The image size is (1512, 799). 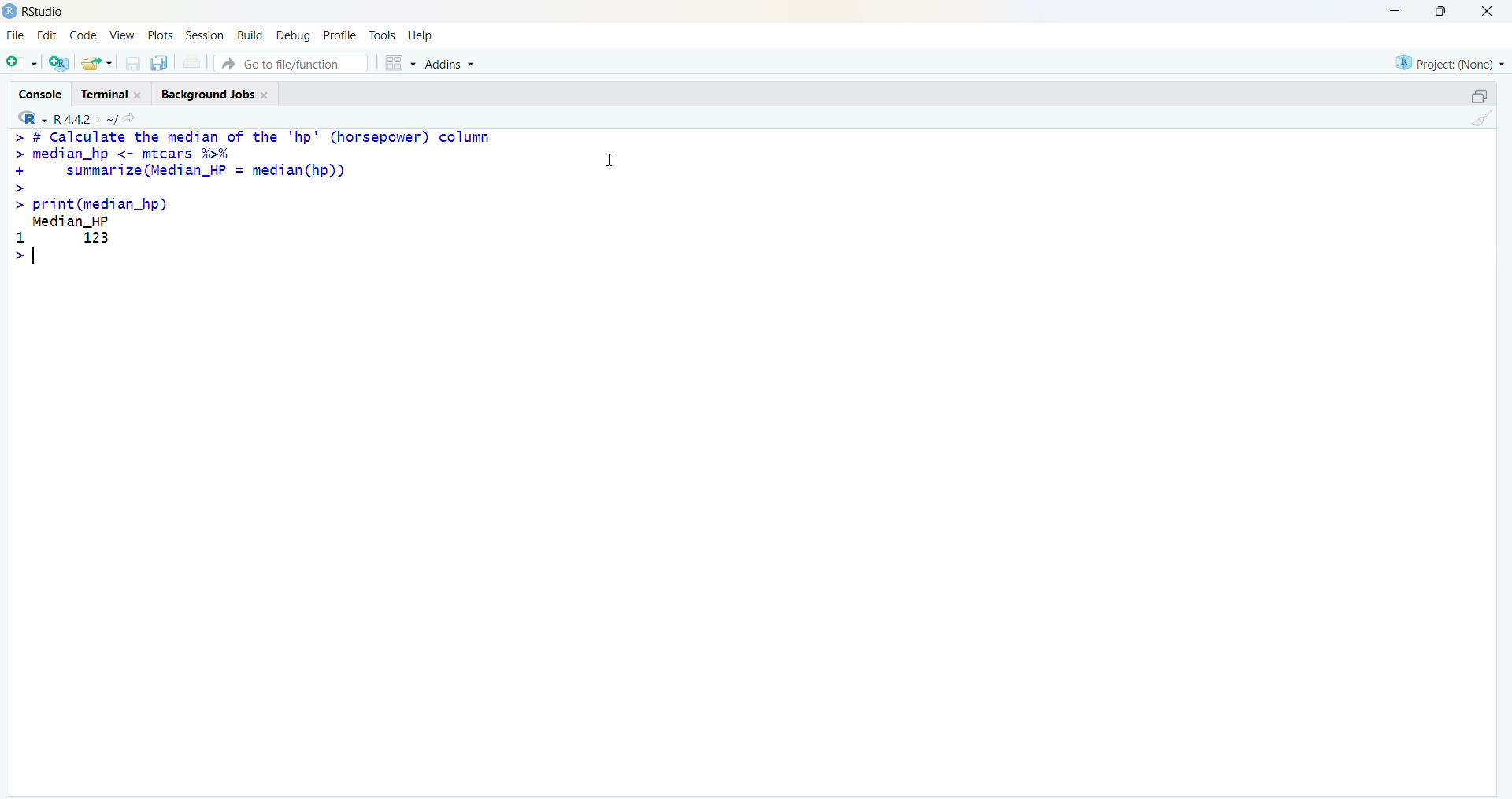 I want to click on typing indicator, so click(x=37, y=257).